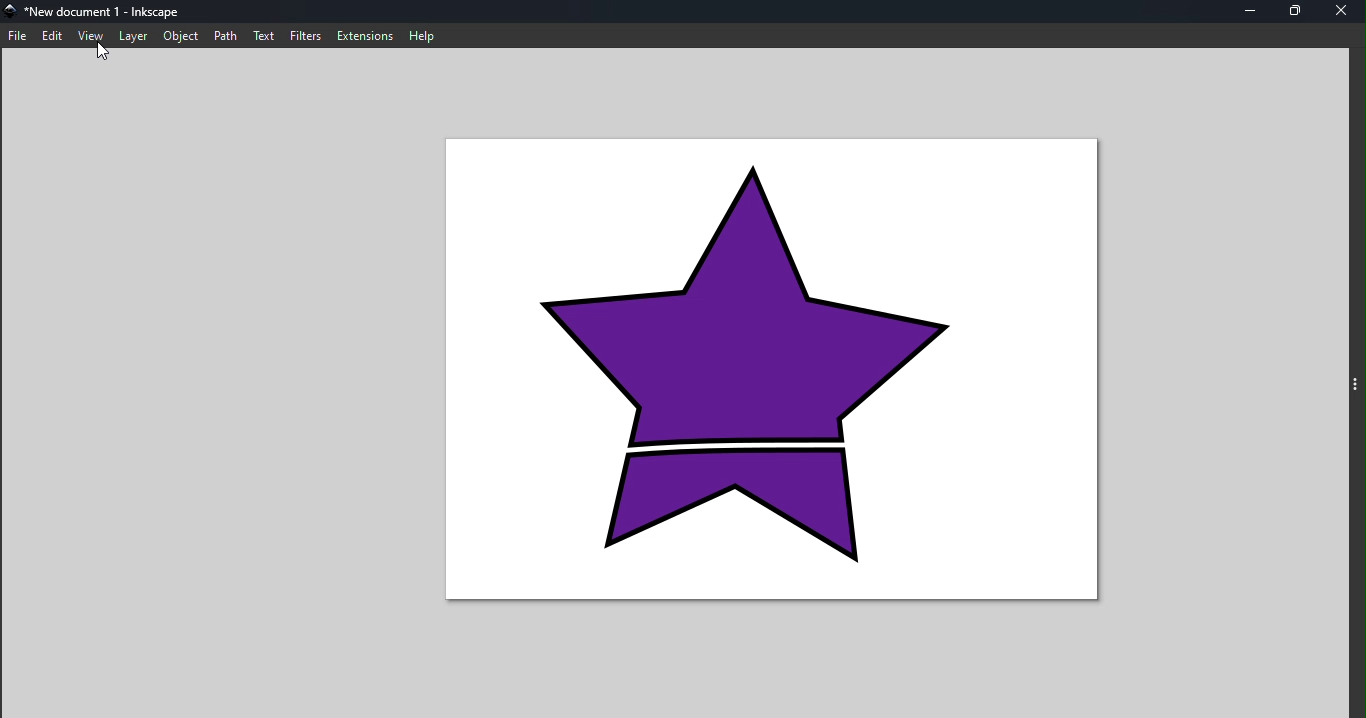 The image size is (1366, 718). I want to click on Close, so click(1339, 13).